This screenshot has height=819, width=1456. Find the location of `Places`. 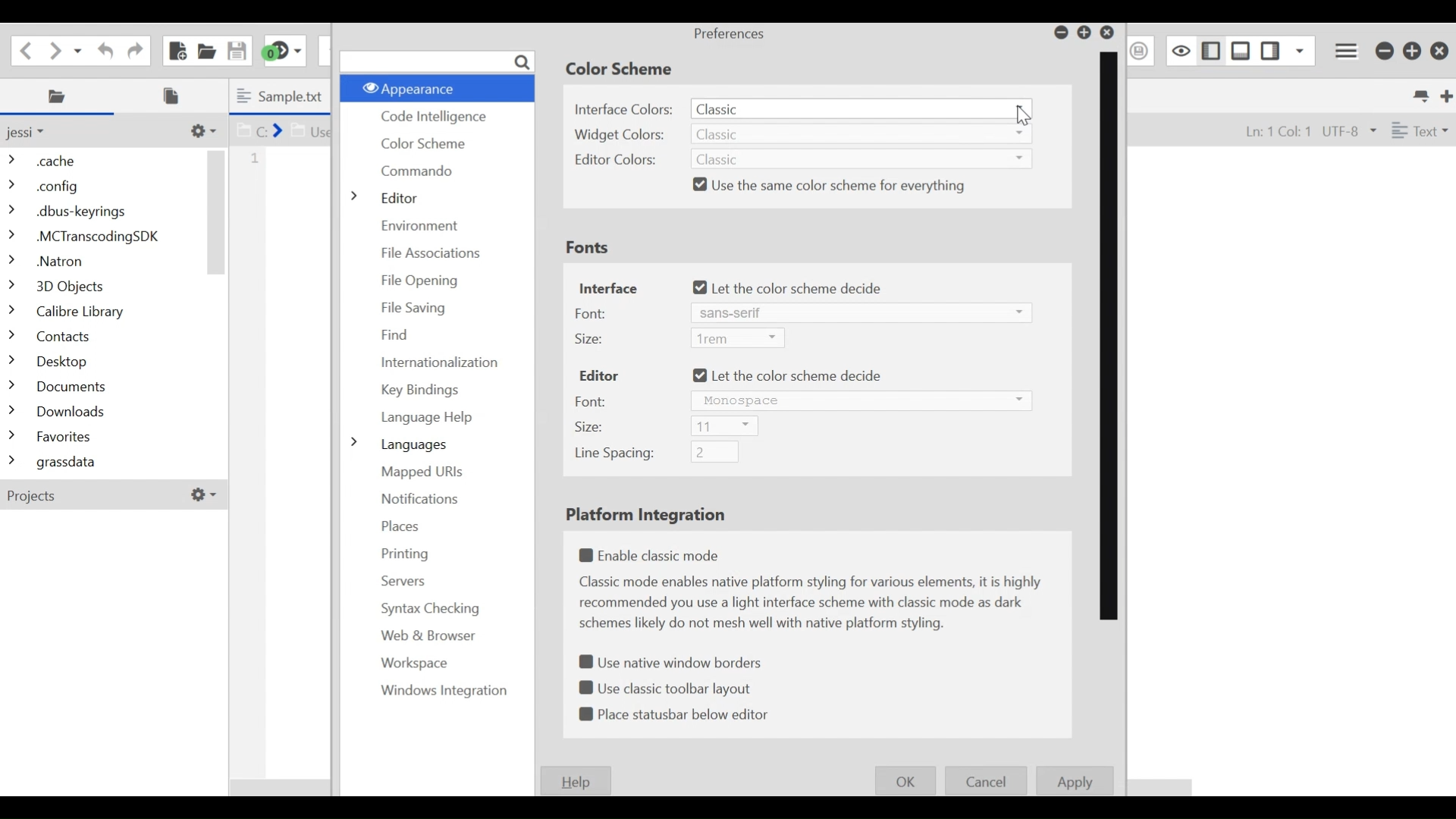

Places is located at coordinates (60, 96).